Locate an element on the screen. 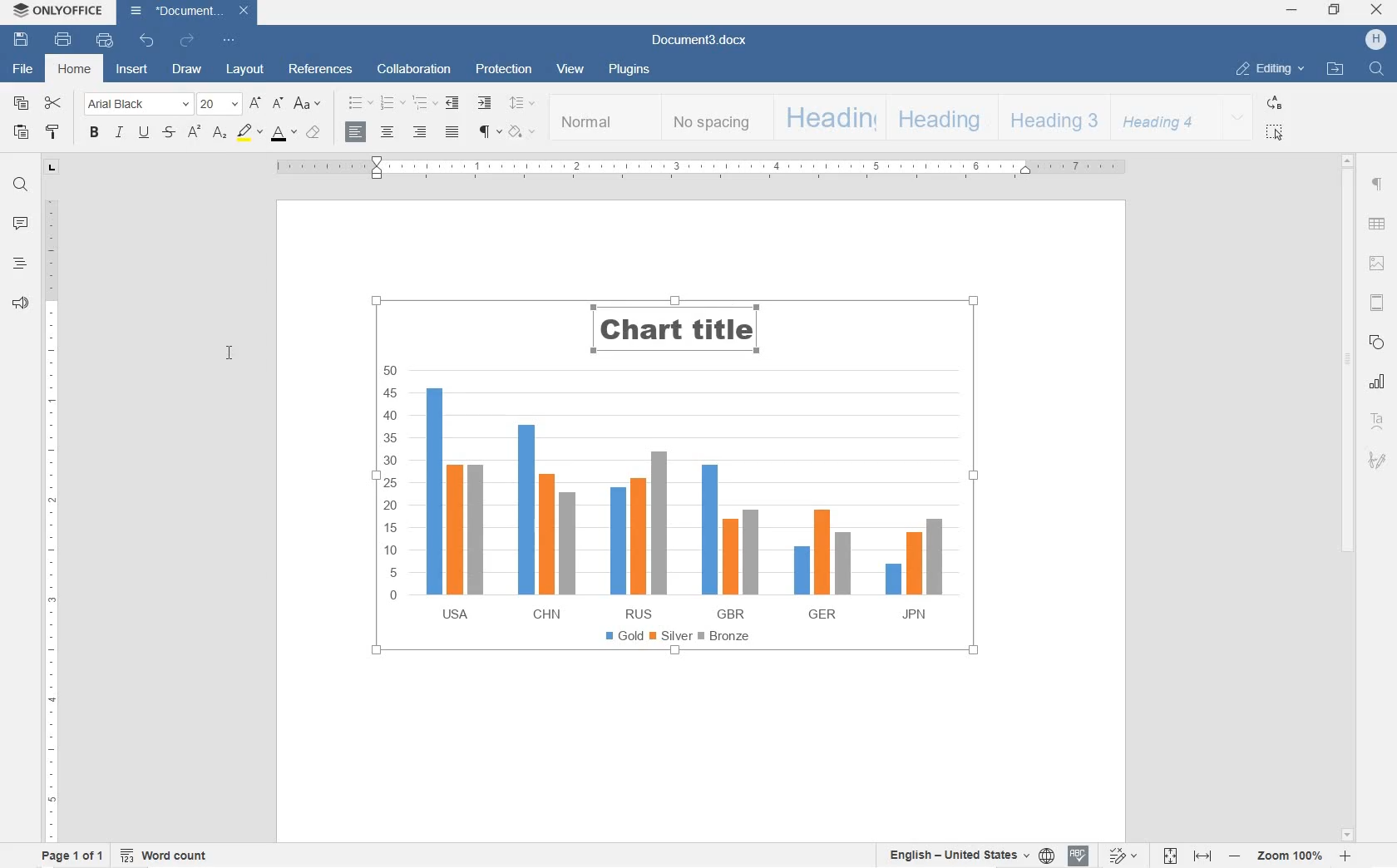  MINIMIZE is located at coordinates (1293, 11).